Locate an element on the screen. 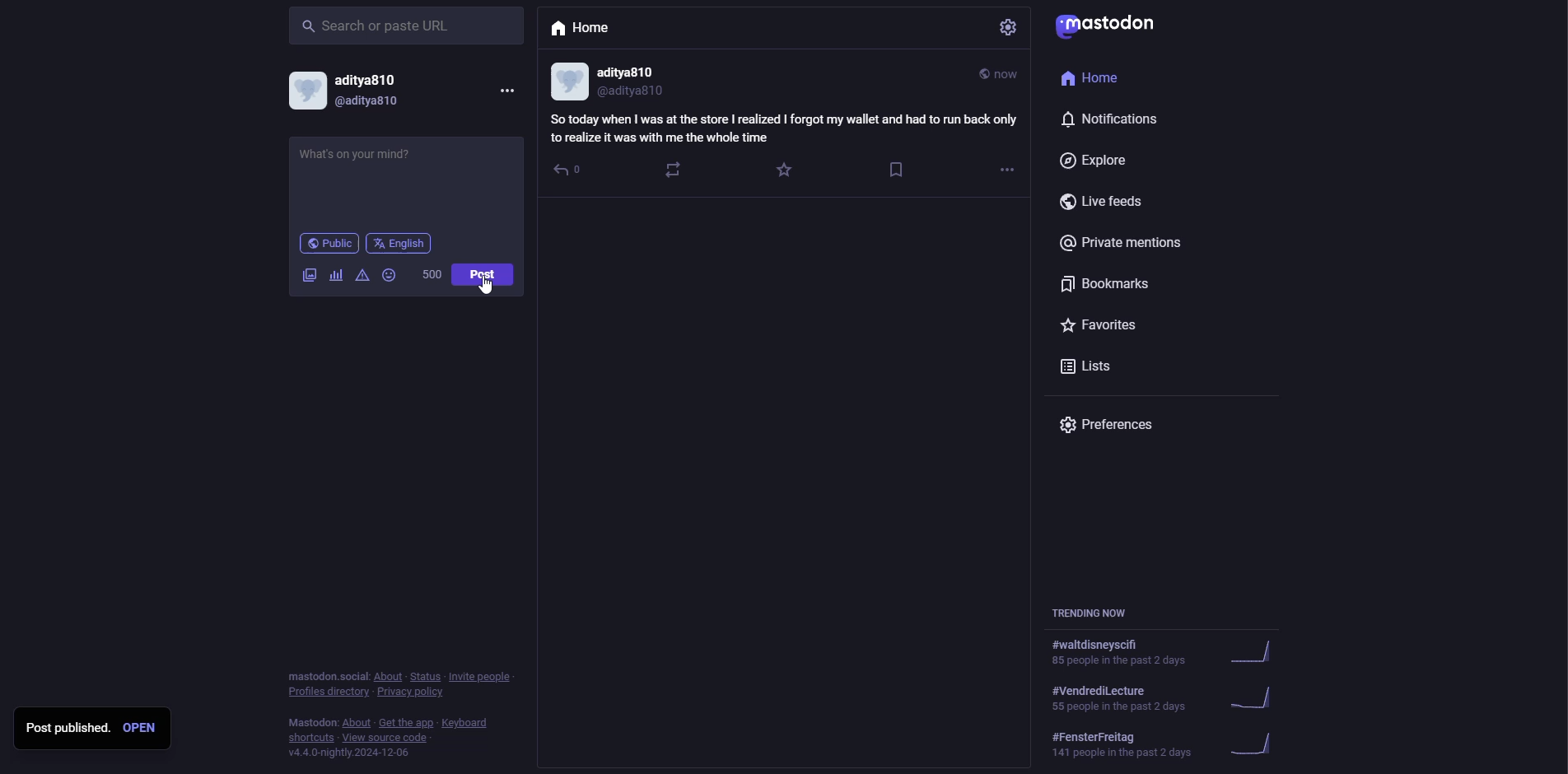  more is located at coordinates (506, 89).